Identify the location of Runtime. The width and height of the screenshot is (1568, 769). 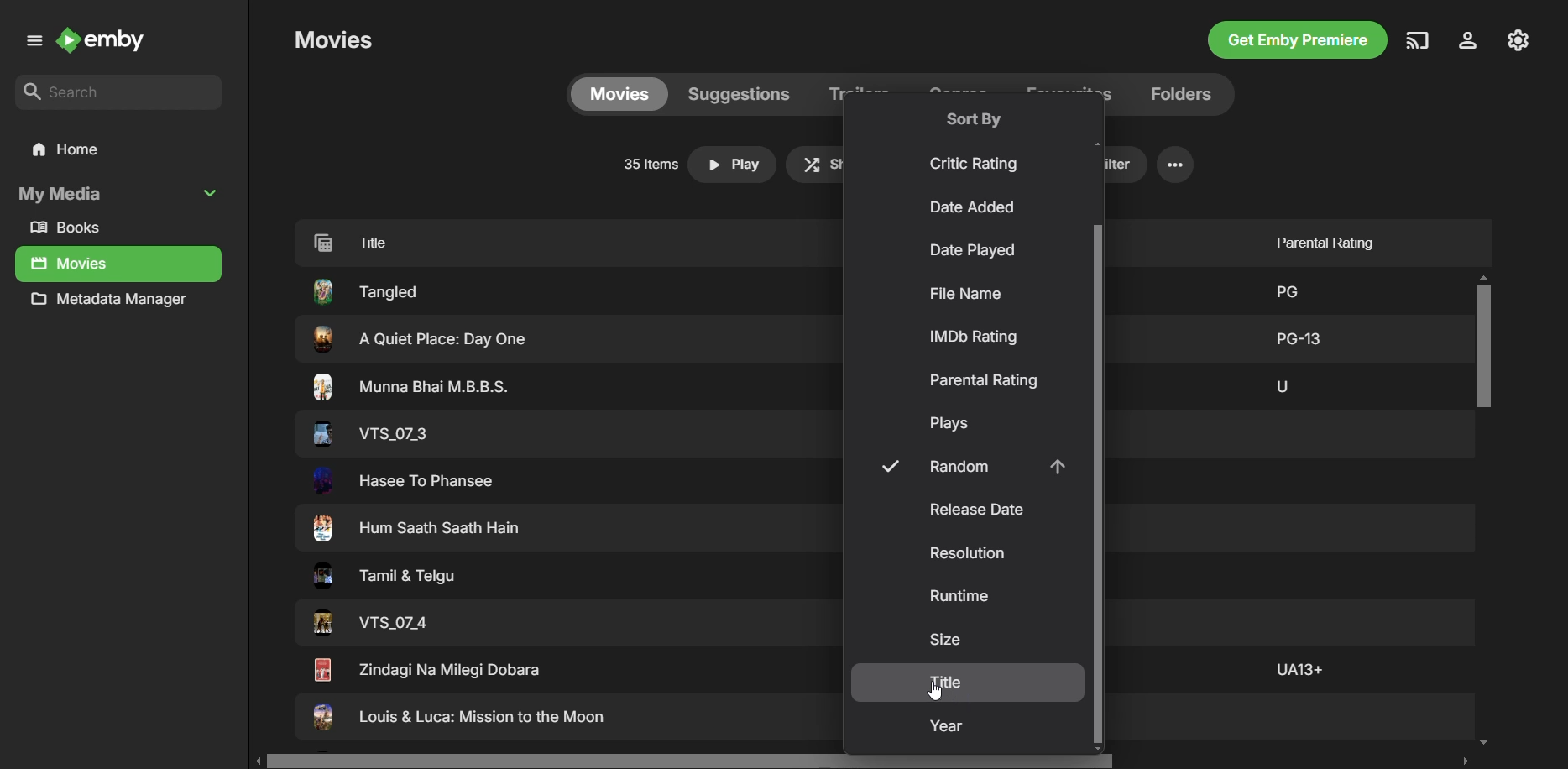
(961, 599).